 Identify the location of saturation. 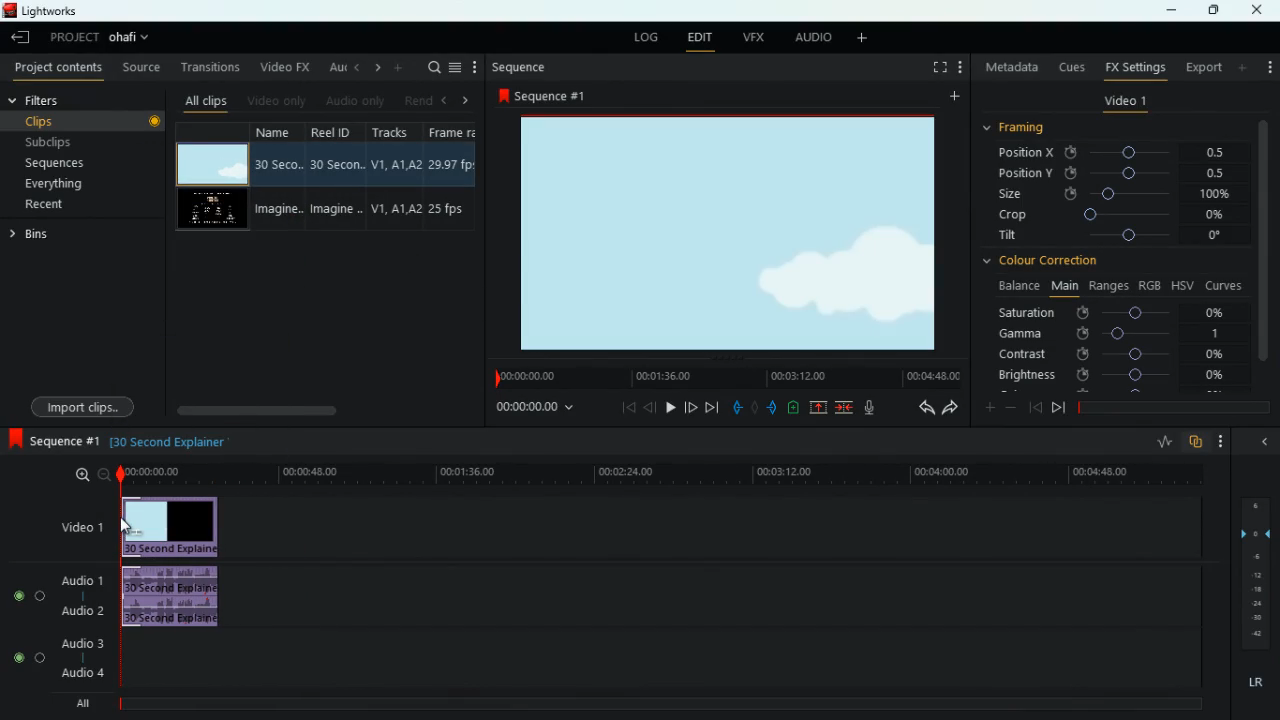
(1113, 314).